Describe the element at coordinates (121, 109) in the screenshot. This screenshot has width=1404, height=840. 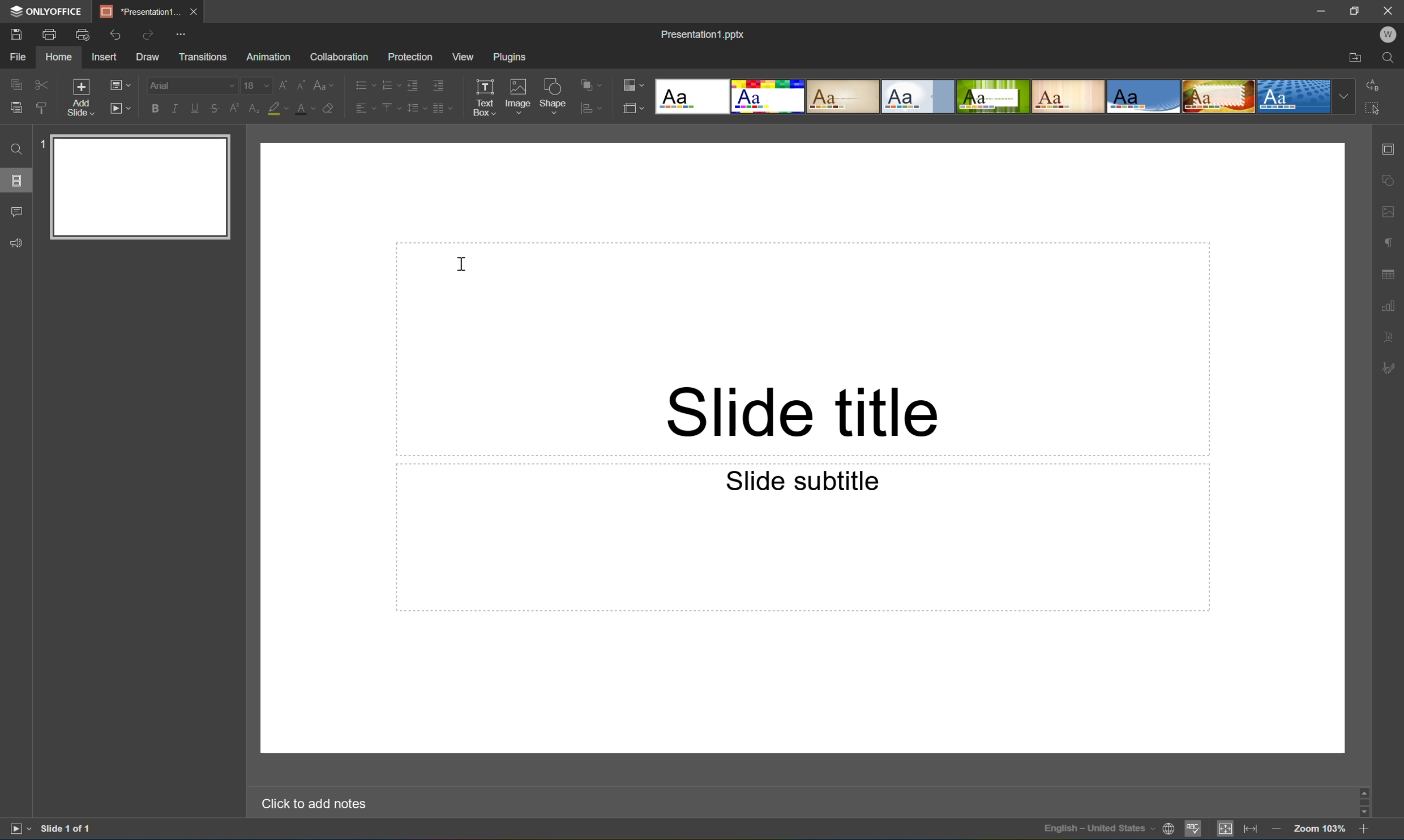
I see `Slide show` at that location.